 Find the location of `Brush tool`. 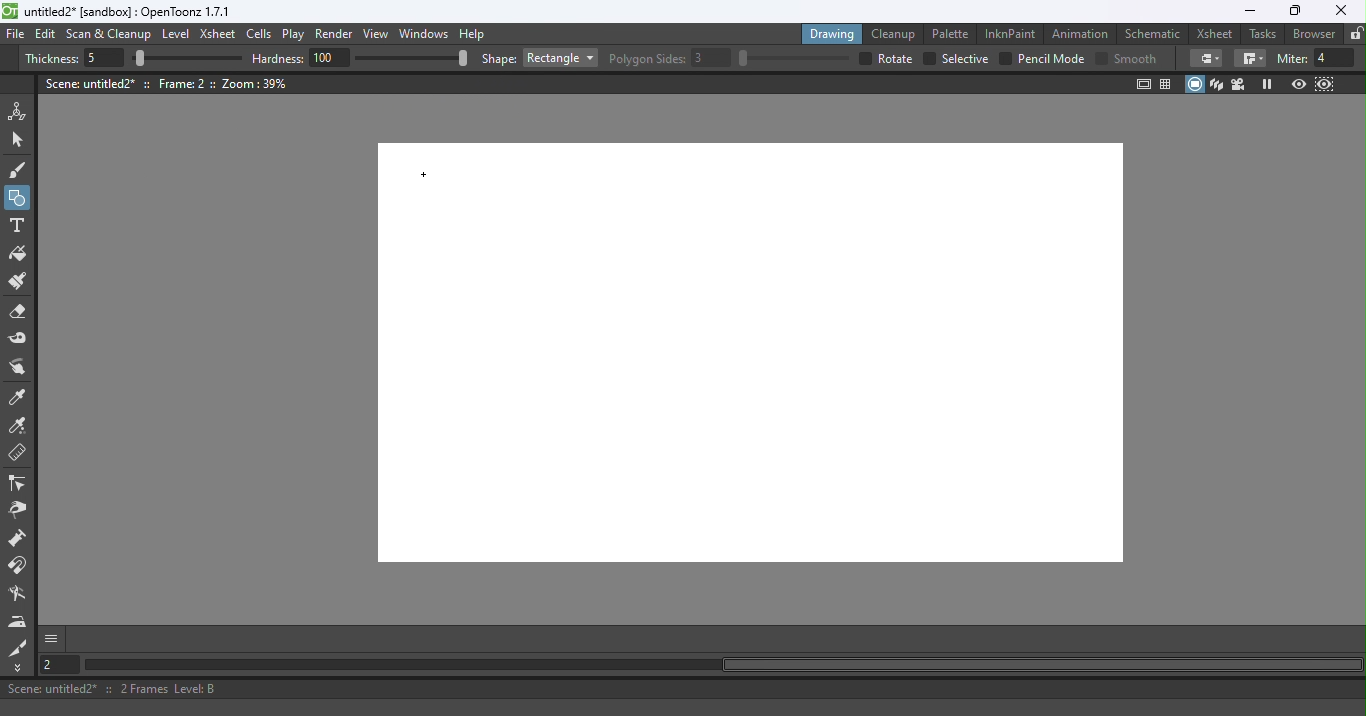

Brush tool is located at coordinates (22, 169).